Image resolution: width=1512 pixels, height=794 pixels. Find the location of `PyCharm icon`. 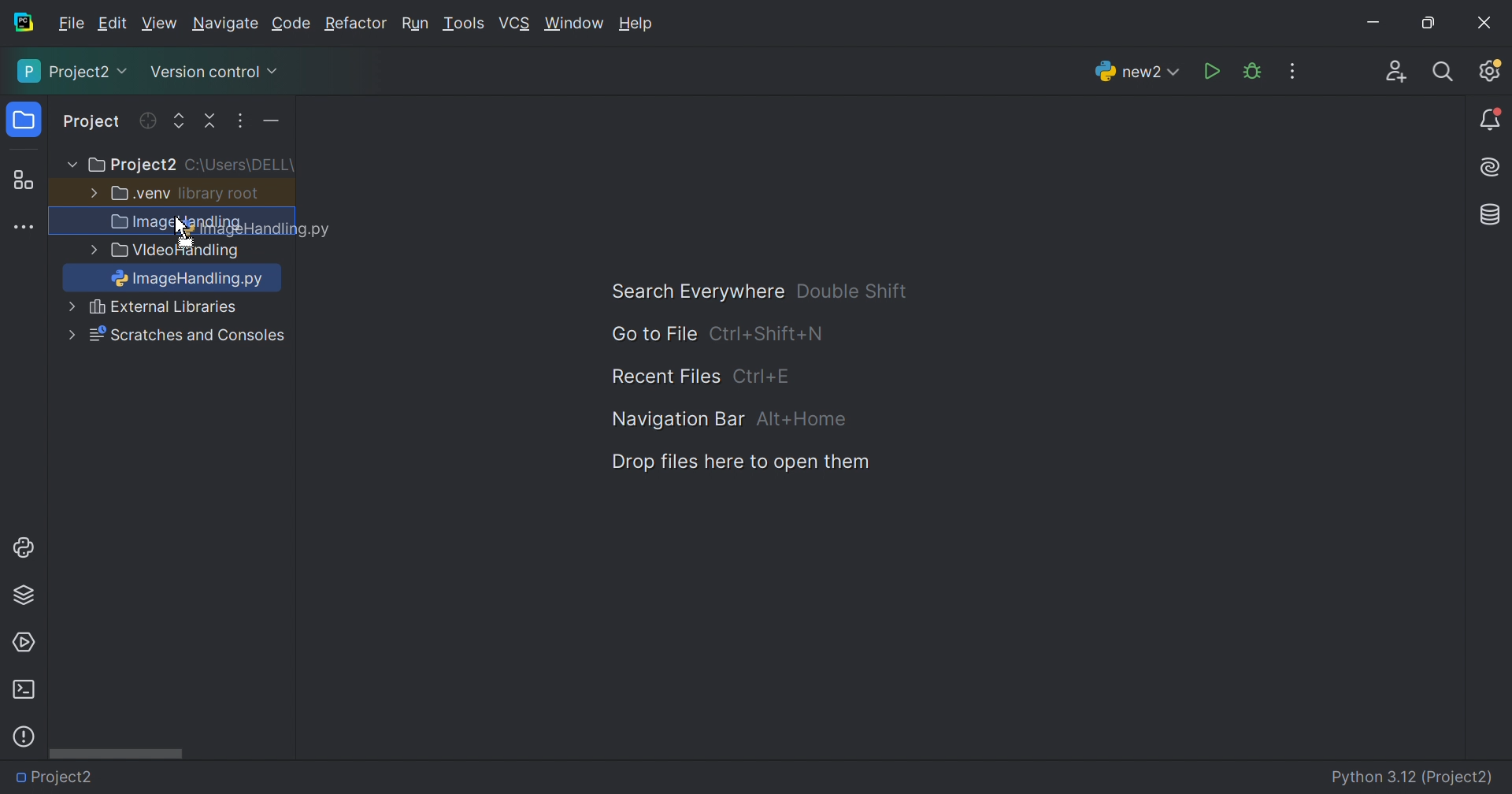

PyCharm icon is located at coordinates (22, 23).